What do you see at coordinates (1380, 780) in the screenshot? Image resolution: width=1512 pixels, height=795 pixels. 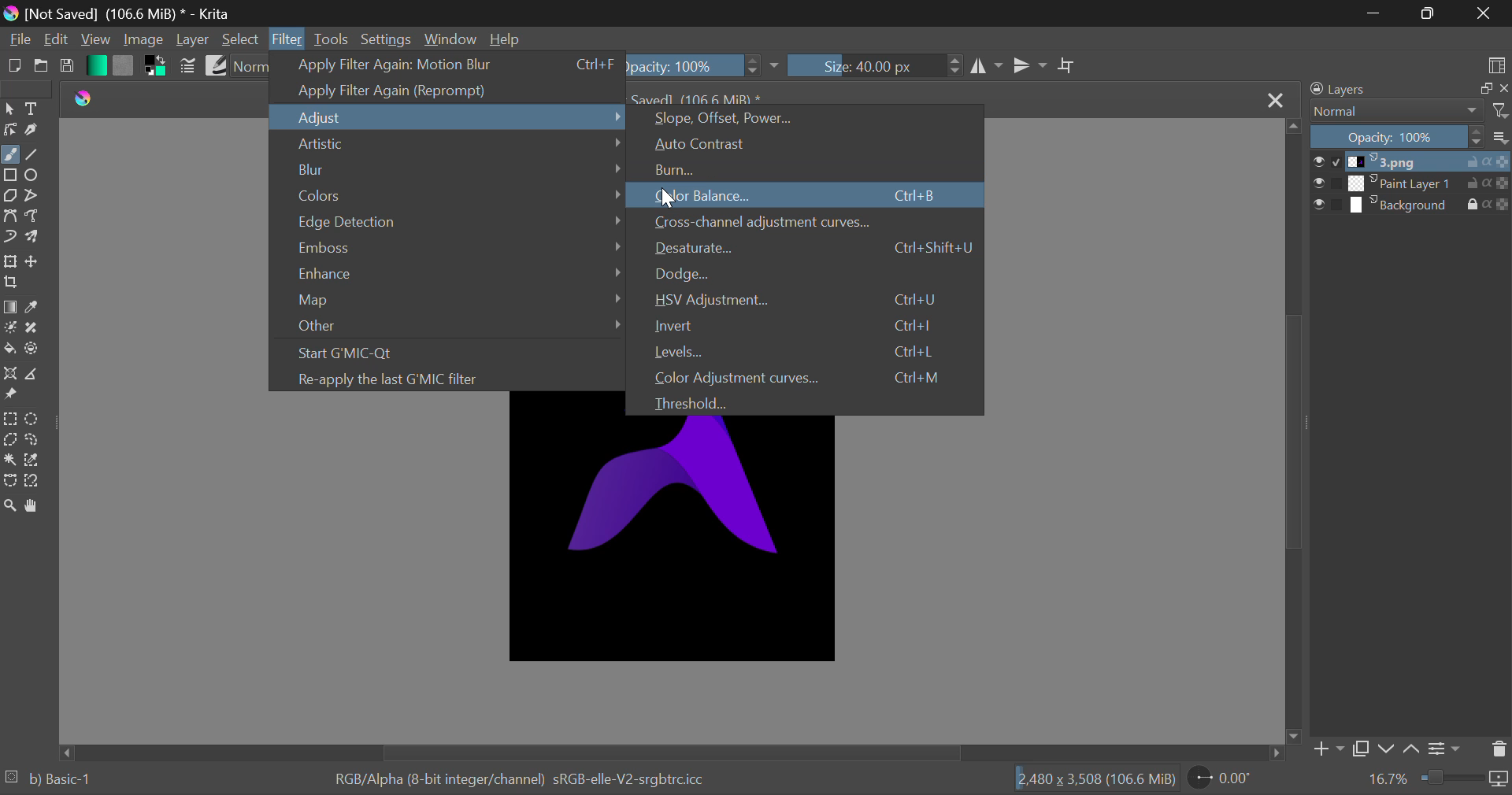 I see `16.7%` at bounding box center [1380, 780].